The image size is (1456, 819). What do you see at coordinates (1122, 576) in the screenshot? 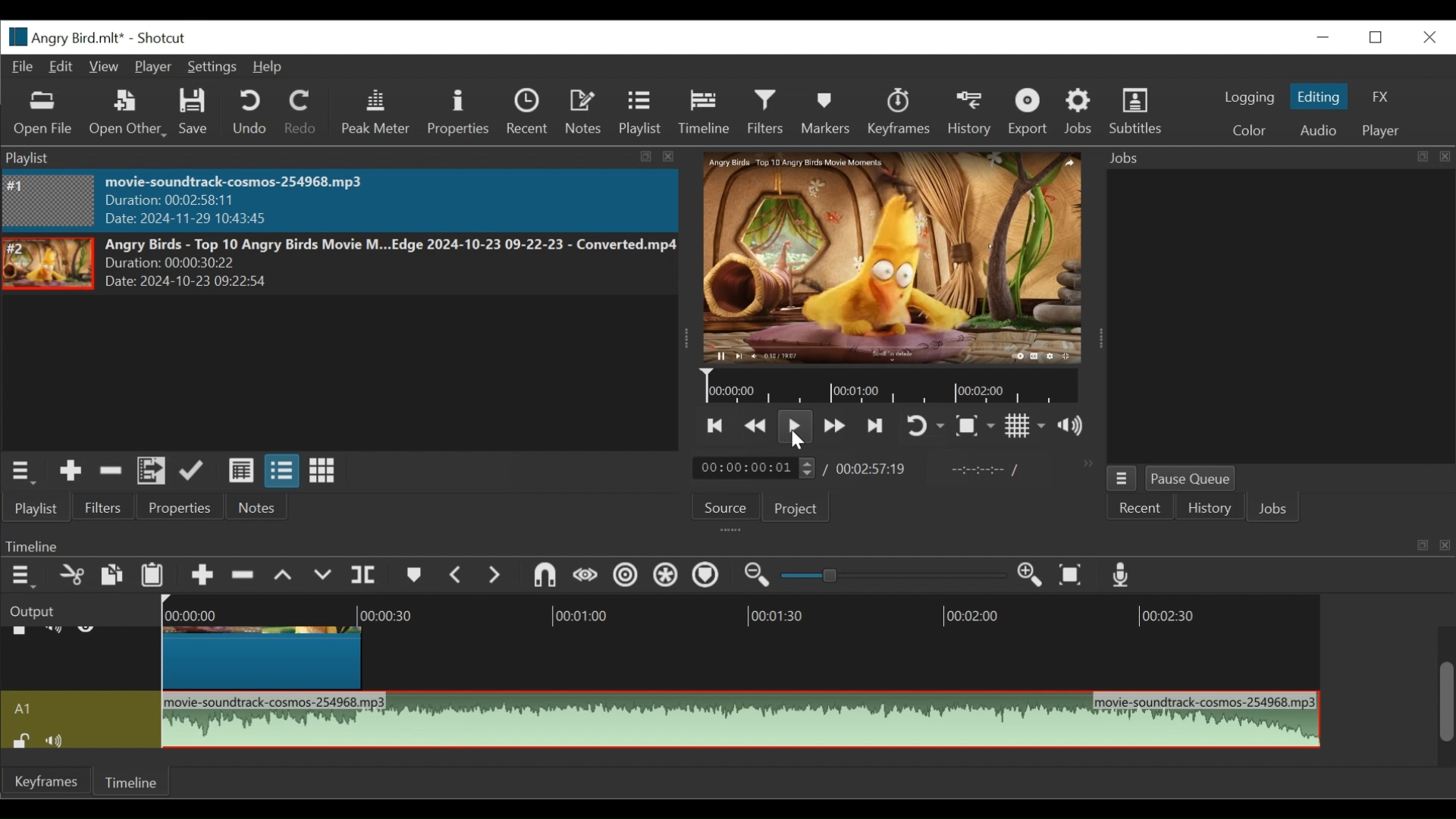
I see `Record audio` at bounding box center [1122, 576].